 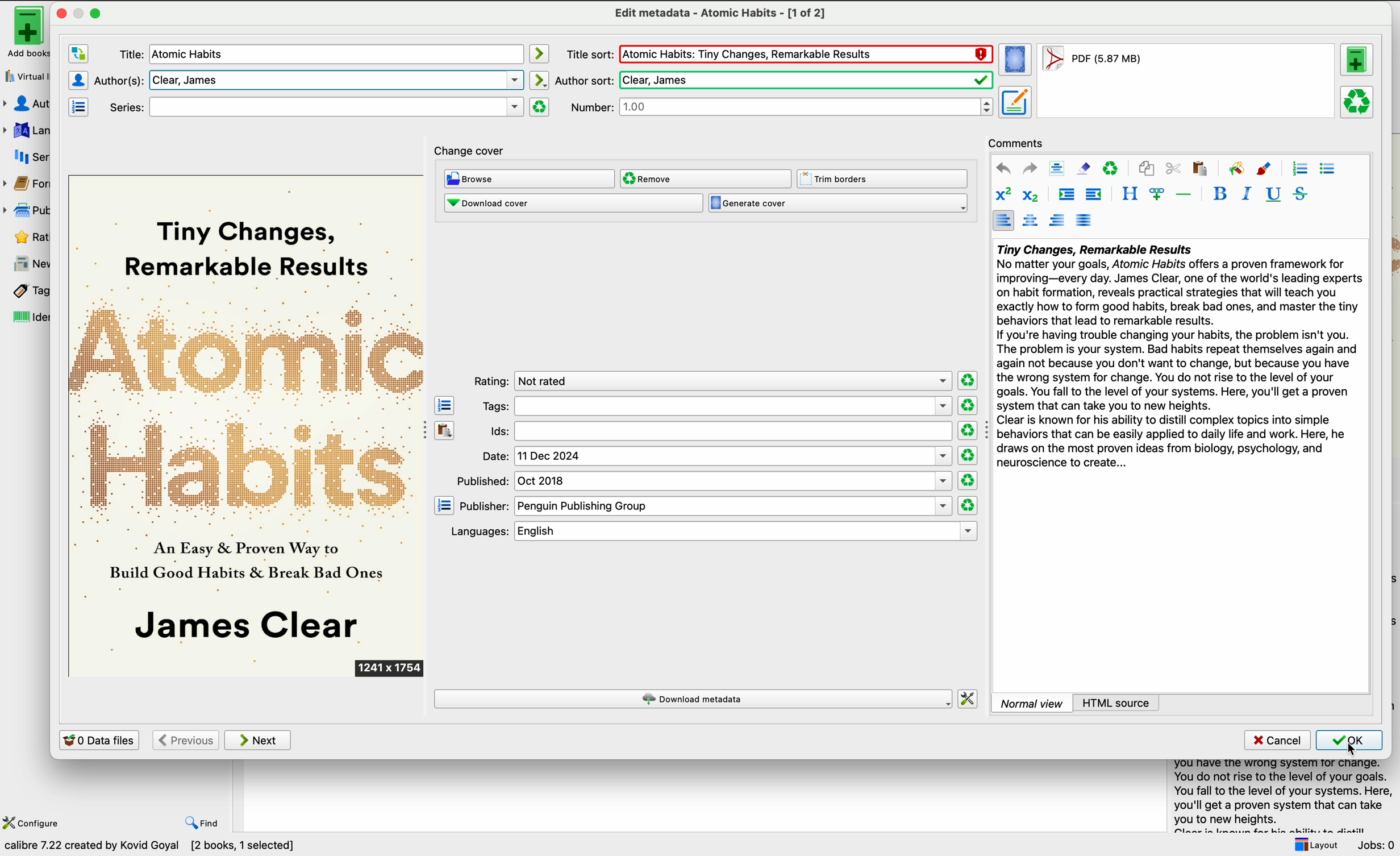 I want to click on redo, so click(x=1030, y=169).